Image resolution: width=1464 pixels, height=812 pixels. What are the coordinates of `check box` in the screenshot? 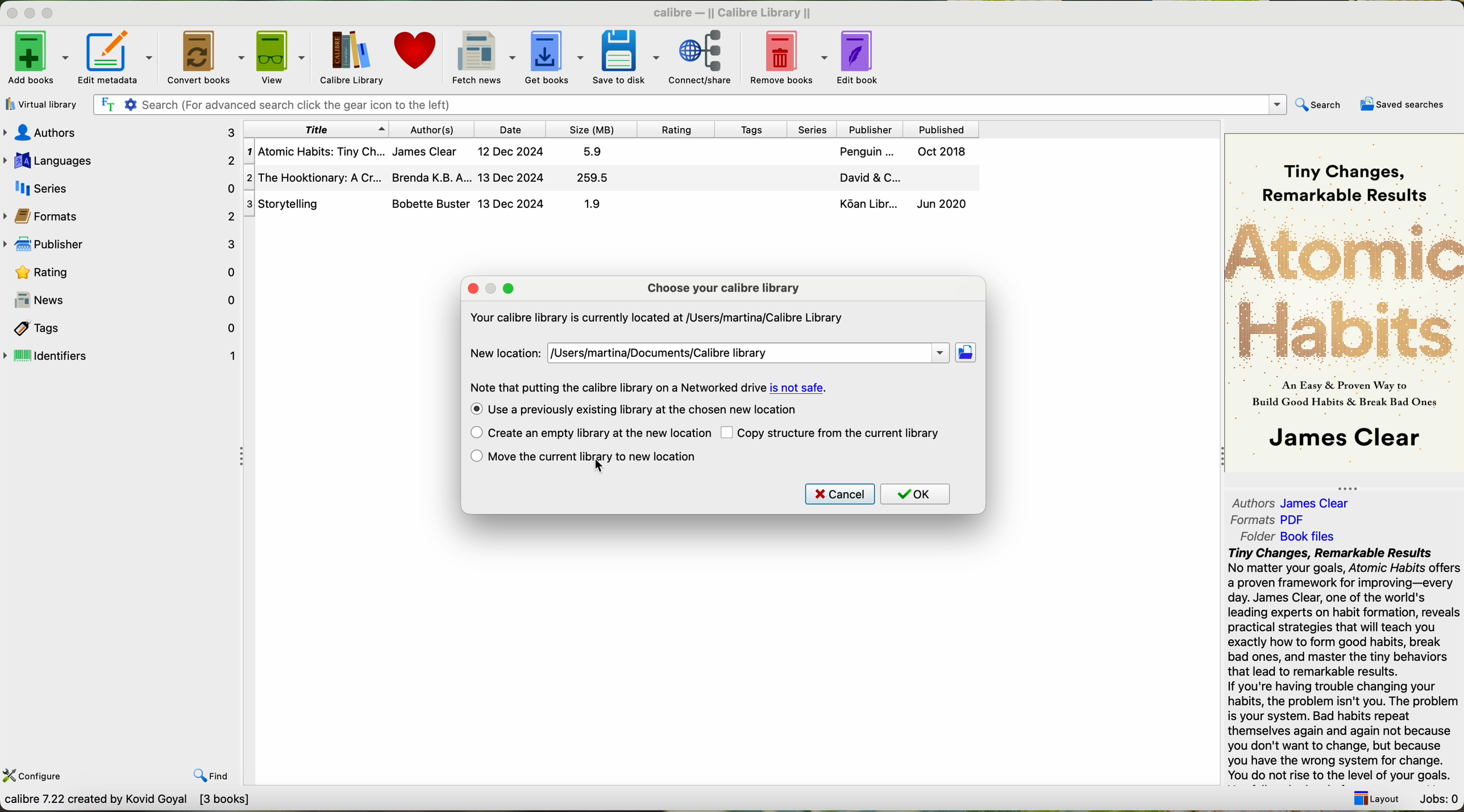 It's located at (472, 433).